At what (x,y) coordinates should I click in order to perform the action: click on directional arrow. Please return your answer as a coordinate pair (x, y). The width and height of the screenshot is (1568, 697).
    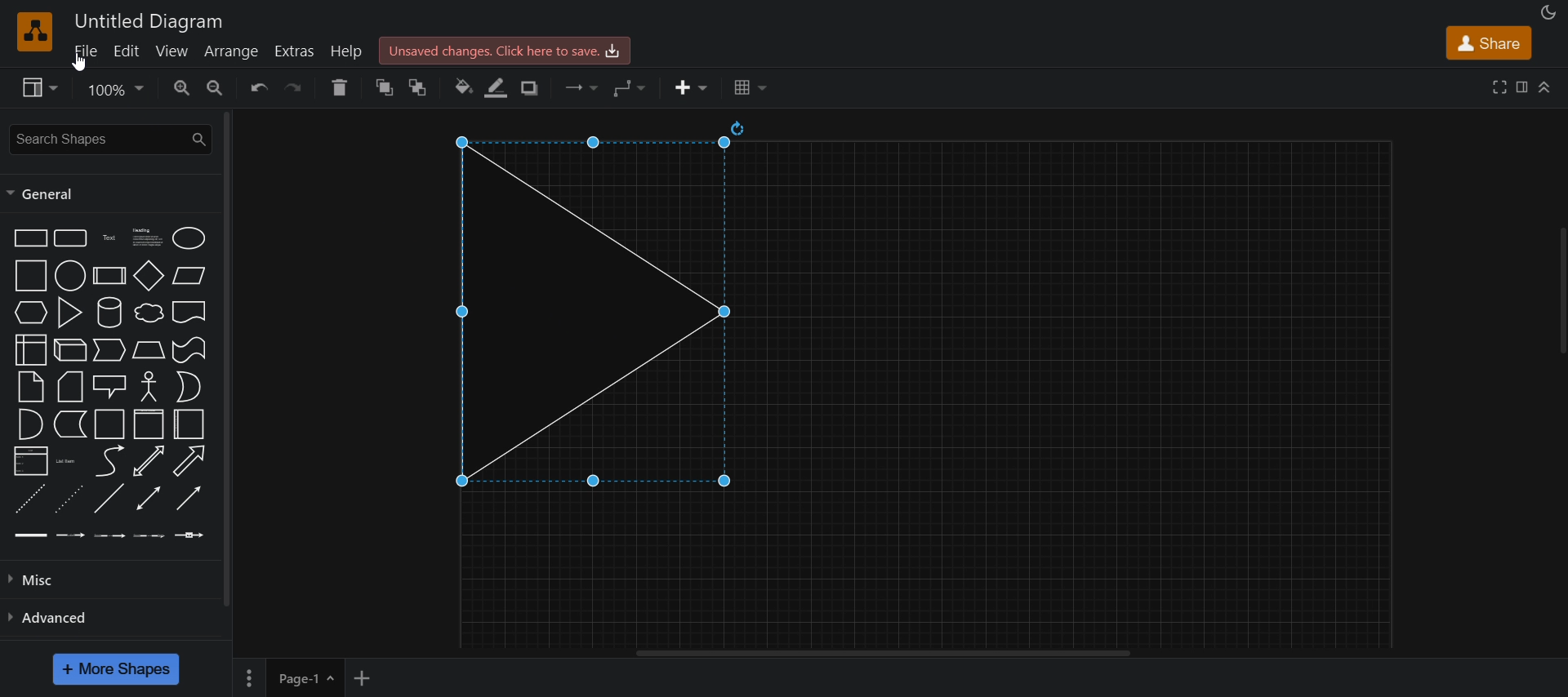
    Looking at the image, I should click on (189, 461).